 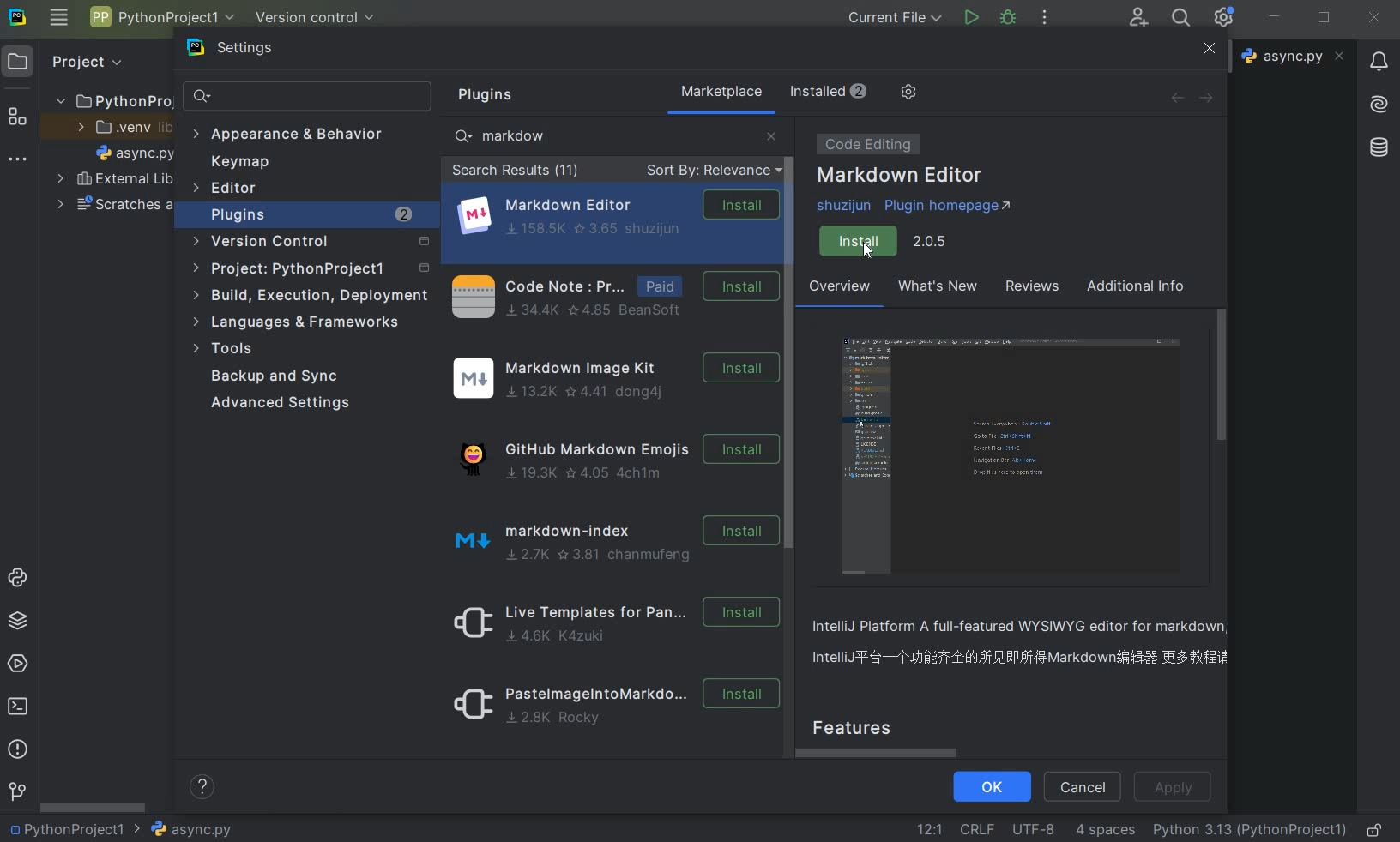 What do you see at coordinates (1043, 19) in the screenshot?
I see `more actions` at bounding box center [1043, 19].